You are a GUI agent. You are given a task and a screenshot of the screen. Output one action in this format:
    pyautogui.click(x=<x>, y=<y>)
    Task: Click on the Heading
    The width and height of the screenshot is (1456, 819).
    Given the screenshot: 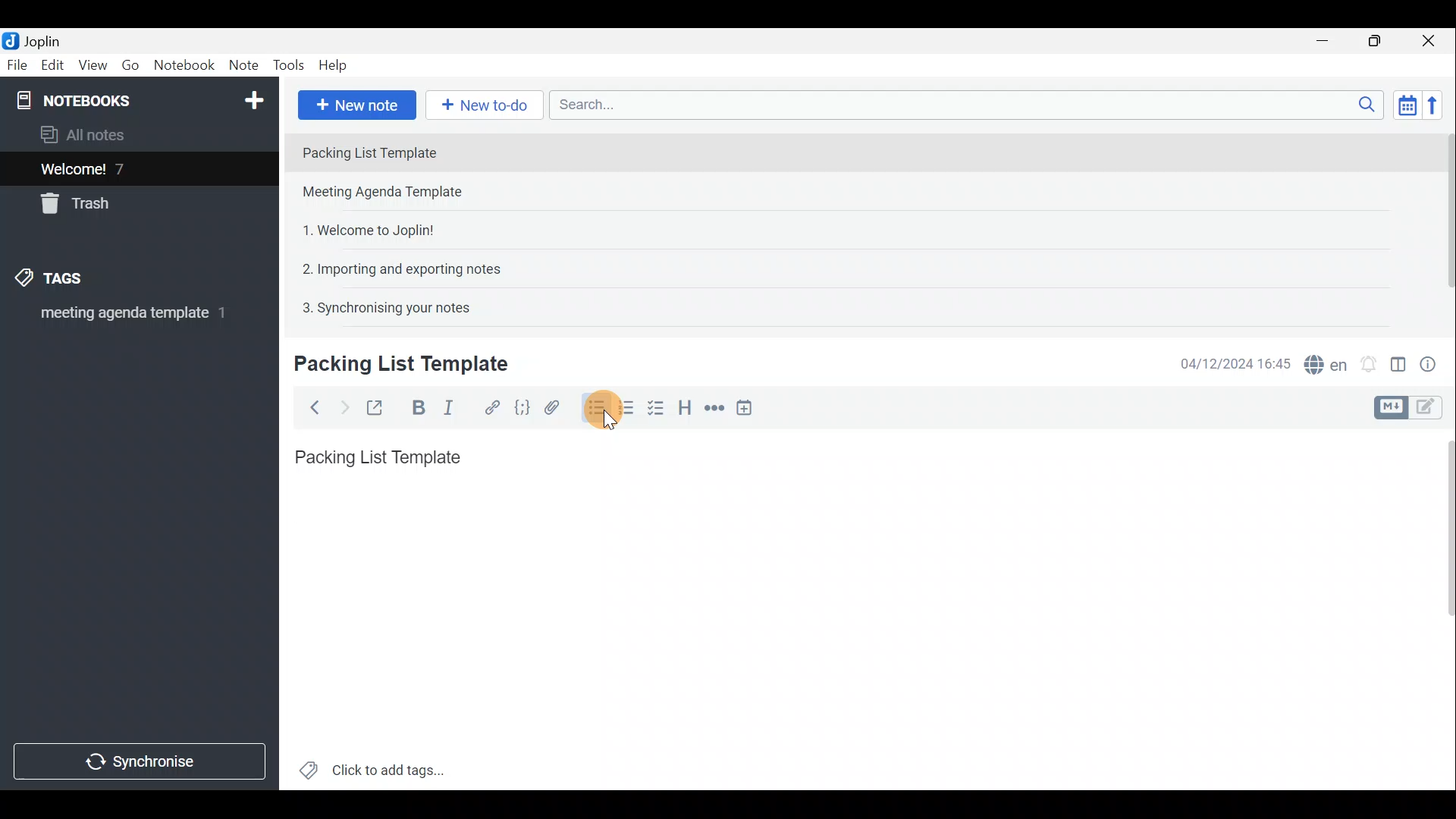 What is the action you would take?
    pyautogui.click(x=686, y=406)
    